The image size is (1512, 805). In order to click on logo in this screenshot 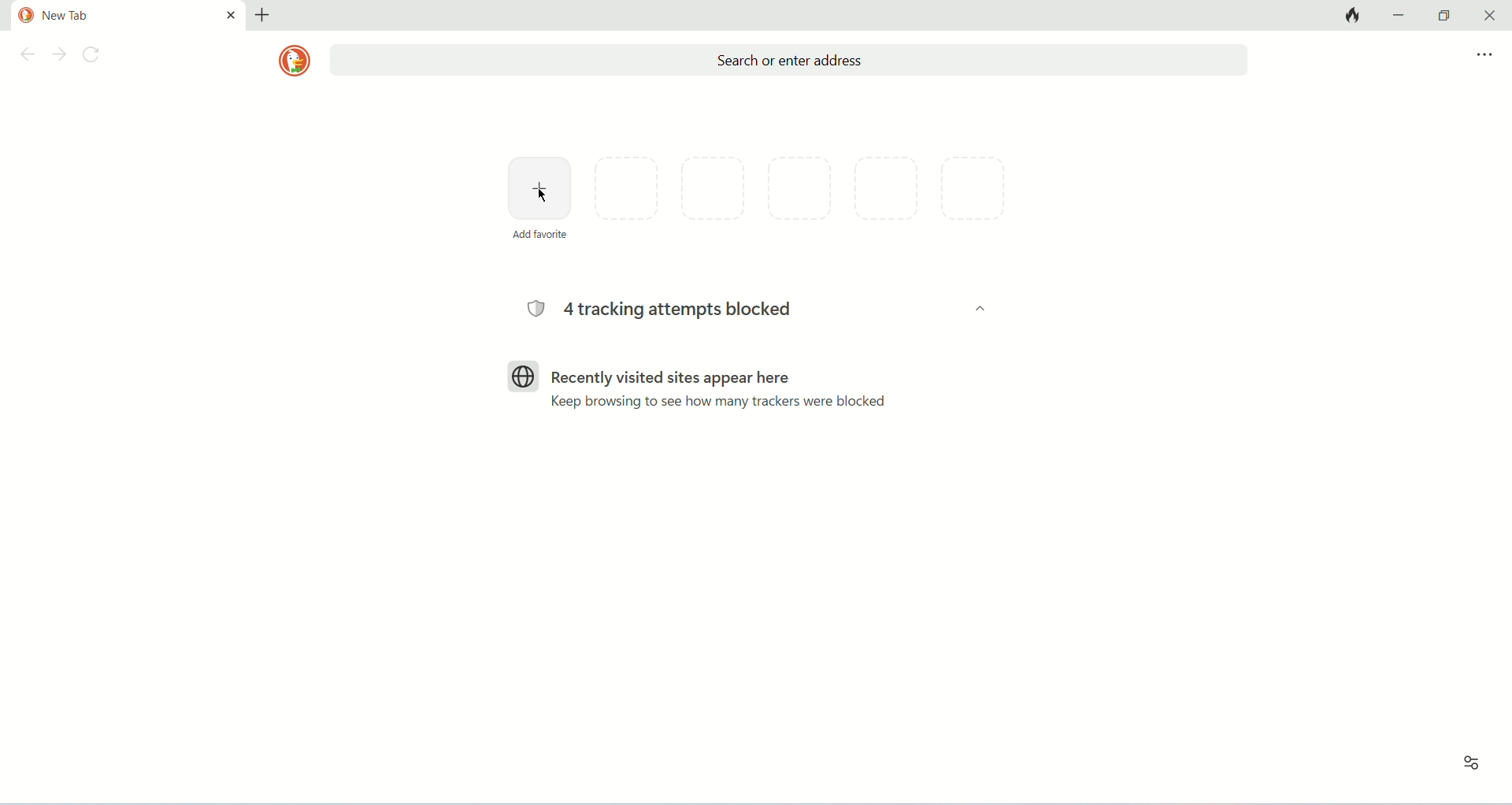, I will do `click(294, 61)`.